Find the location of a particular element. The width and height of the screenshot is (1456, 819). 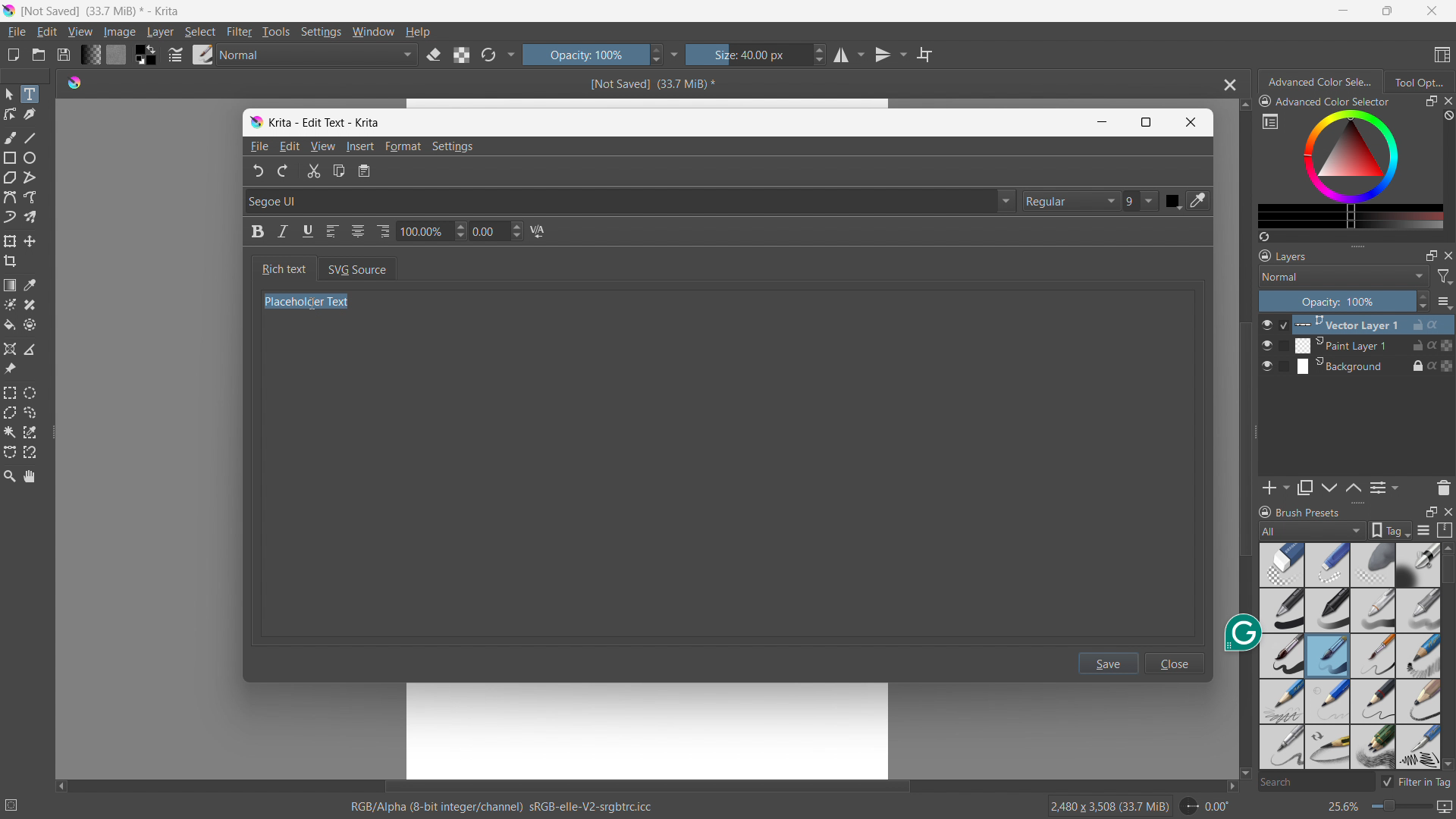

more settings is located at coordinates (1270, 121).